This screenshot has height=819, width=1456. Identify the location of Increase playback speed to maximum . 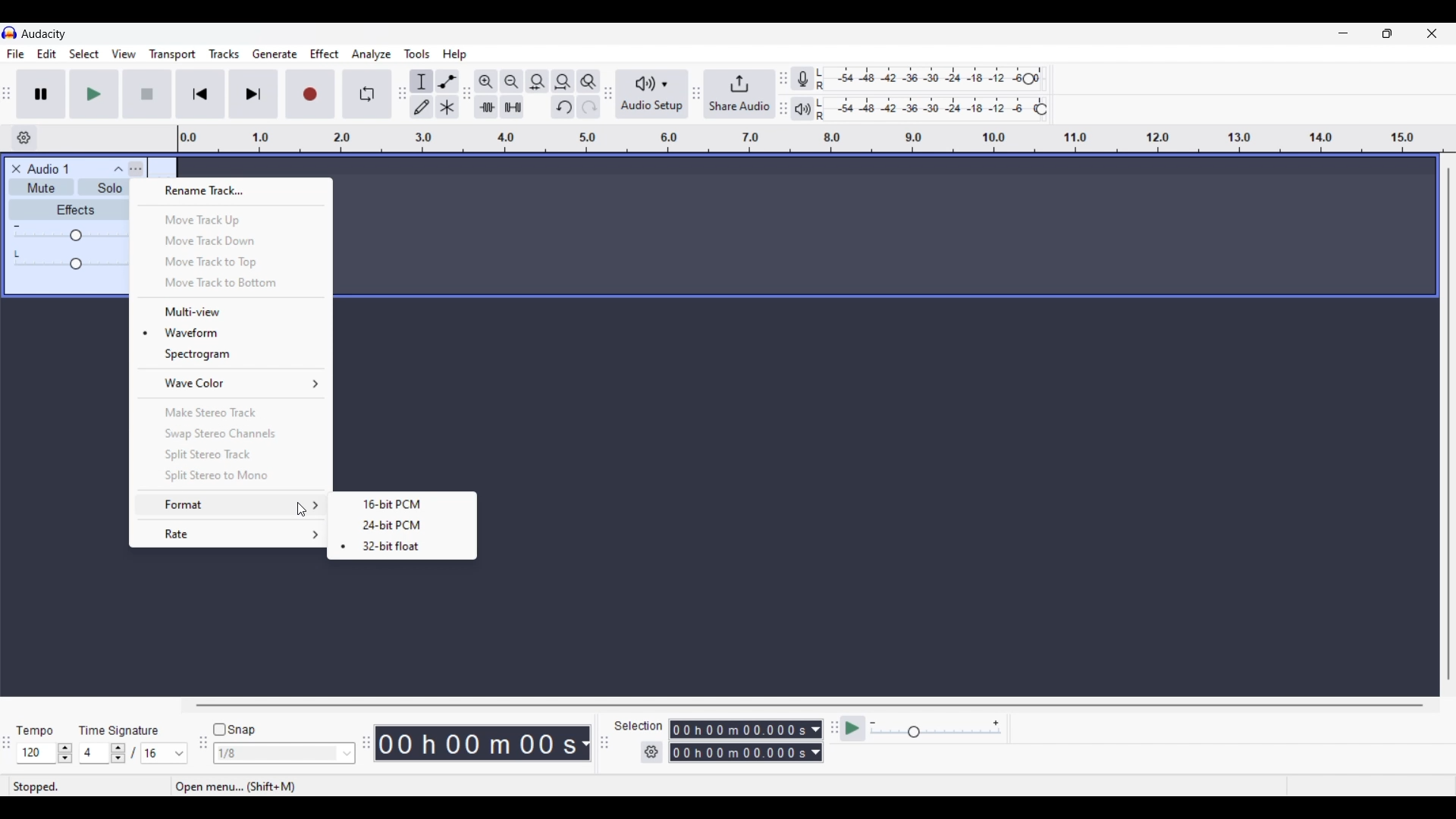
(996, 723).